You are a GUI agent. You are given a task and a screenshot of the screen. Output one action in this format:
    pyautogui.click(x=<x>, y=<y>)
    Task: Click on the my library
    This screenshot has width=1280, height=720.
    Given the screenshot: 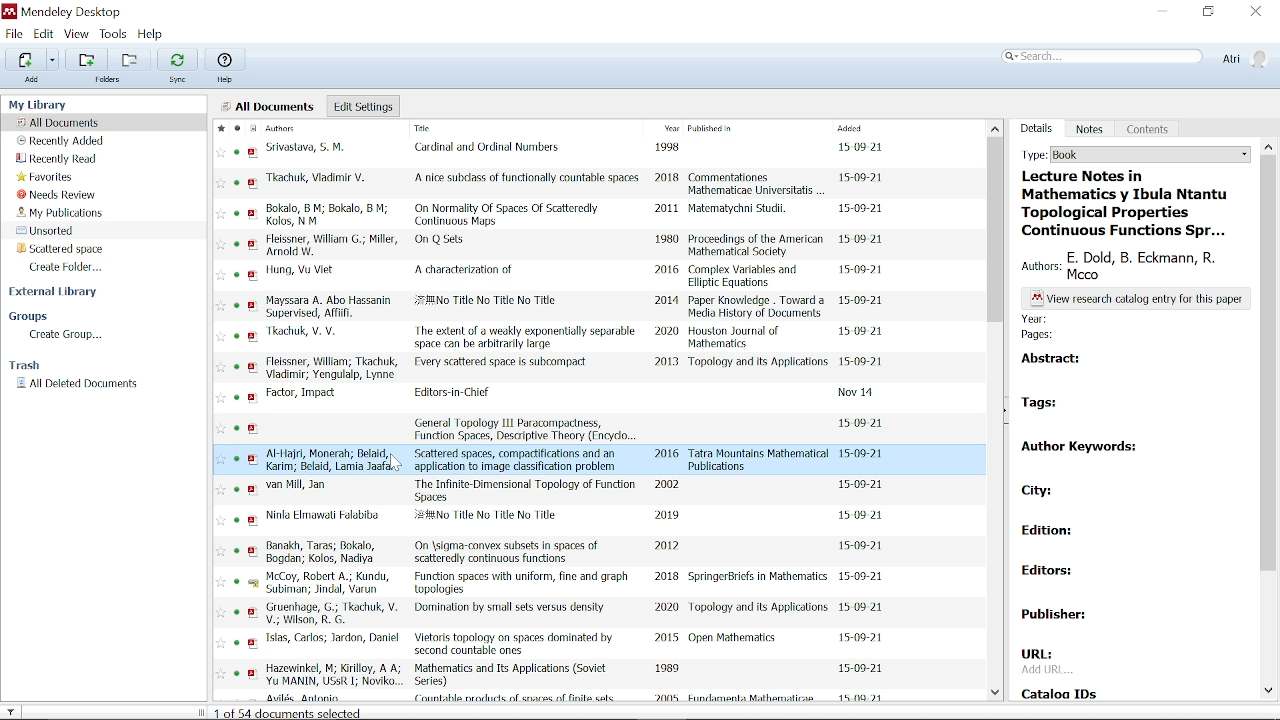 What is the action you would take?
    pyautogui.click(x=40, y=104)
    